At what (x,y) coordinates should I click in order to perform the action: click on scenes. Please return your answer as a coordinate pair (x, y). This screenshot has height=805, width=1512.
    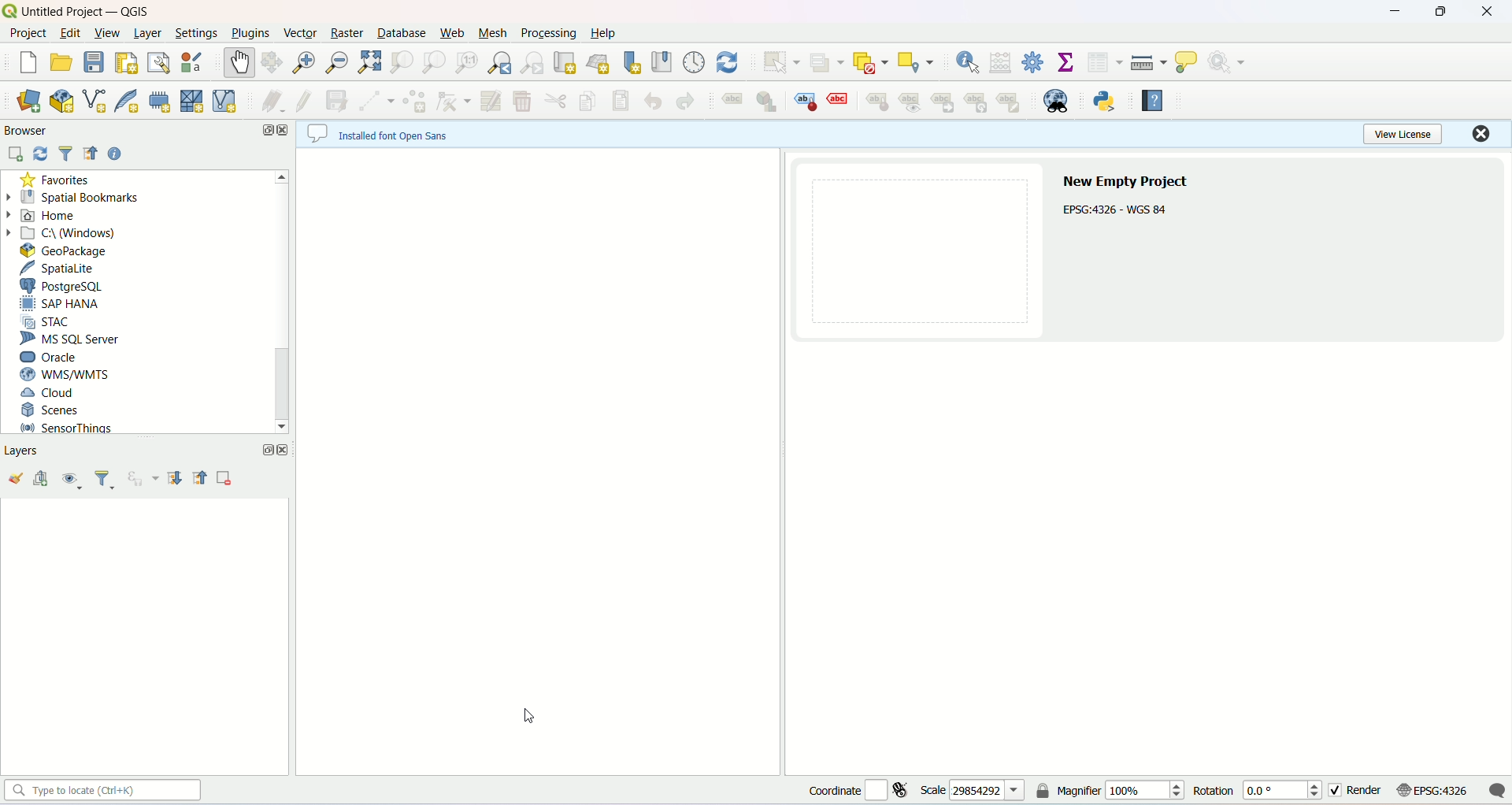
    Looking at the image, I should click on (54, 410).